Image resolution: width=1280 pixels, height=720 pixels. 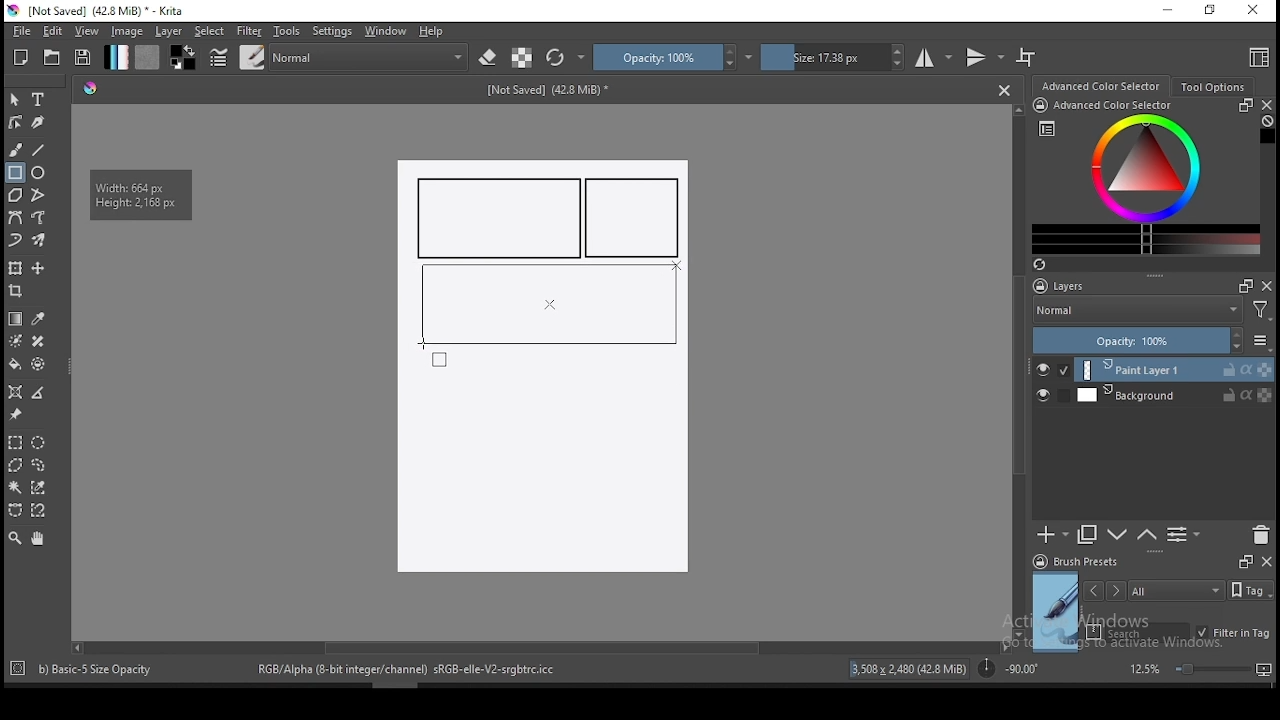 I want to click on rotation, so click(x=1008, y=667).